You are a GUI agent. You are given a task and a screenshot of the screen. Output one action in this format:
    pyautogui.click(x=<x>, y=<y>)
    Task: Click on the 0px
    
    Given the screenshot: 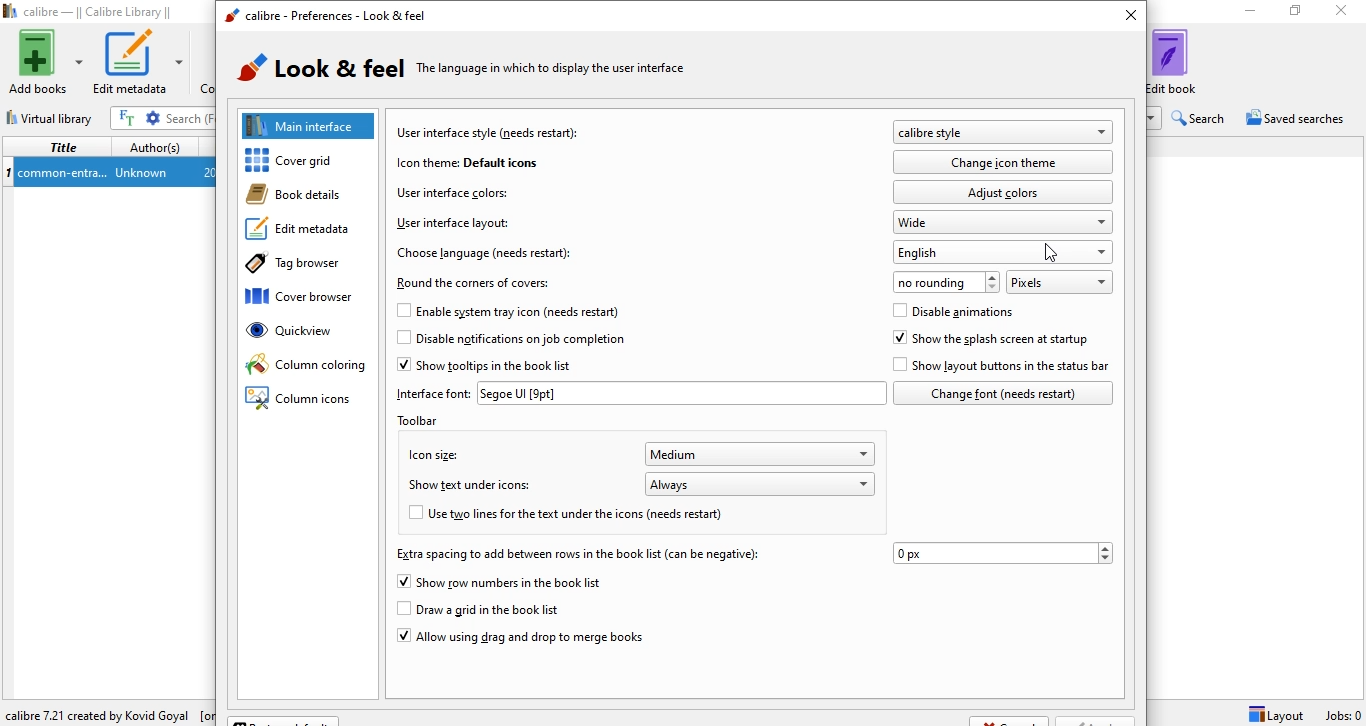 What is the action you would take?
    pyautogui.click(x=1003, y=553)
    